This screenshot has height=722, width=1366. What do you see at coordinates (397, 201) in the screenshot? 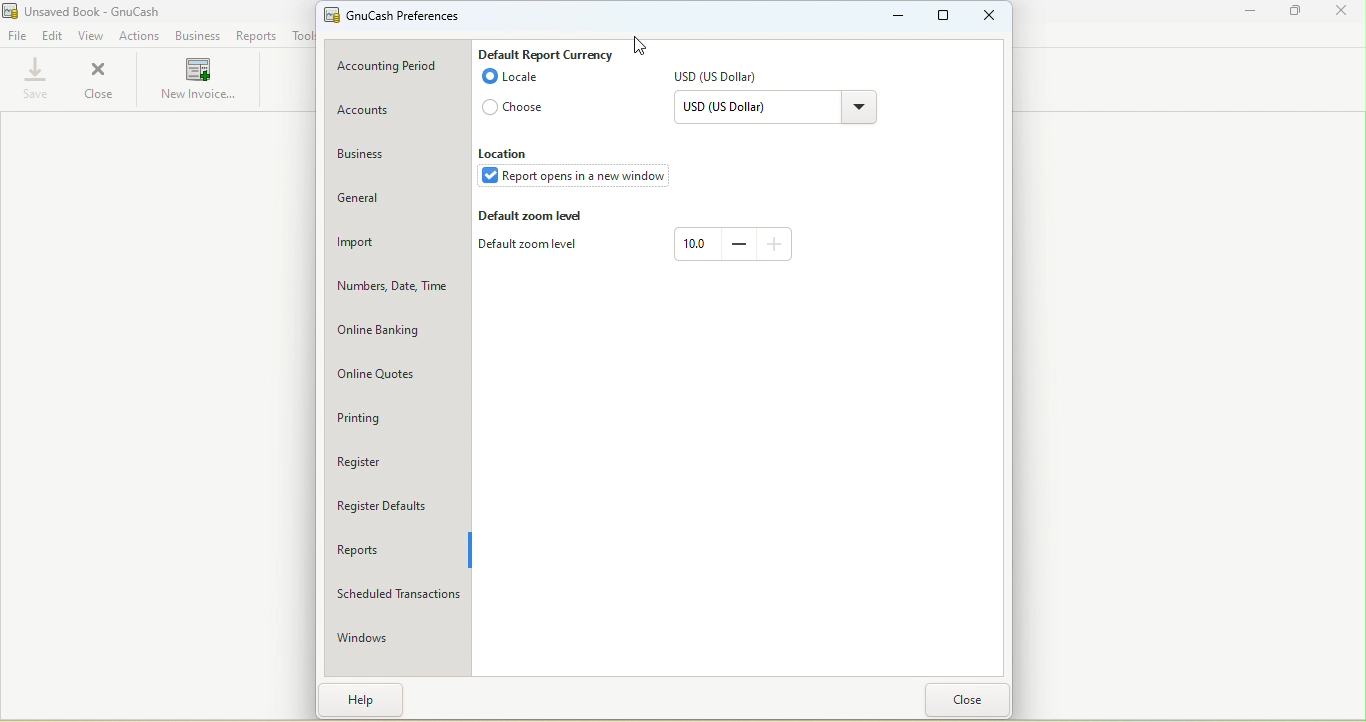
I see `General` at bounding box center [397, 201].